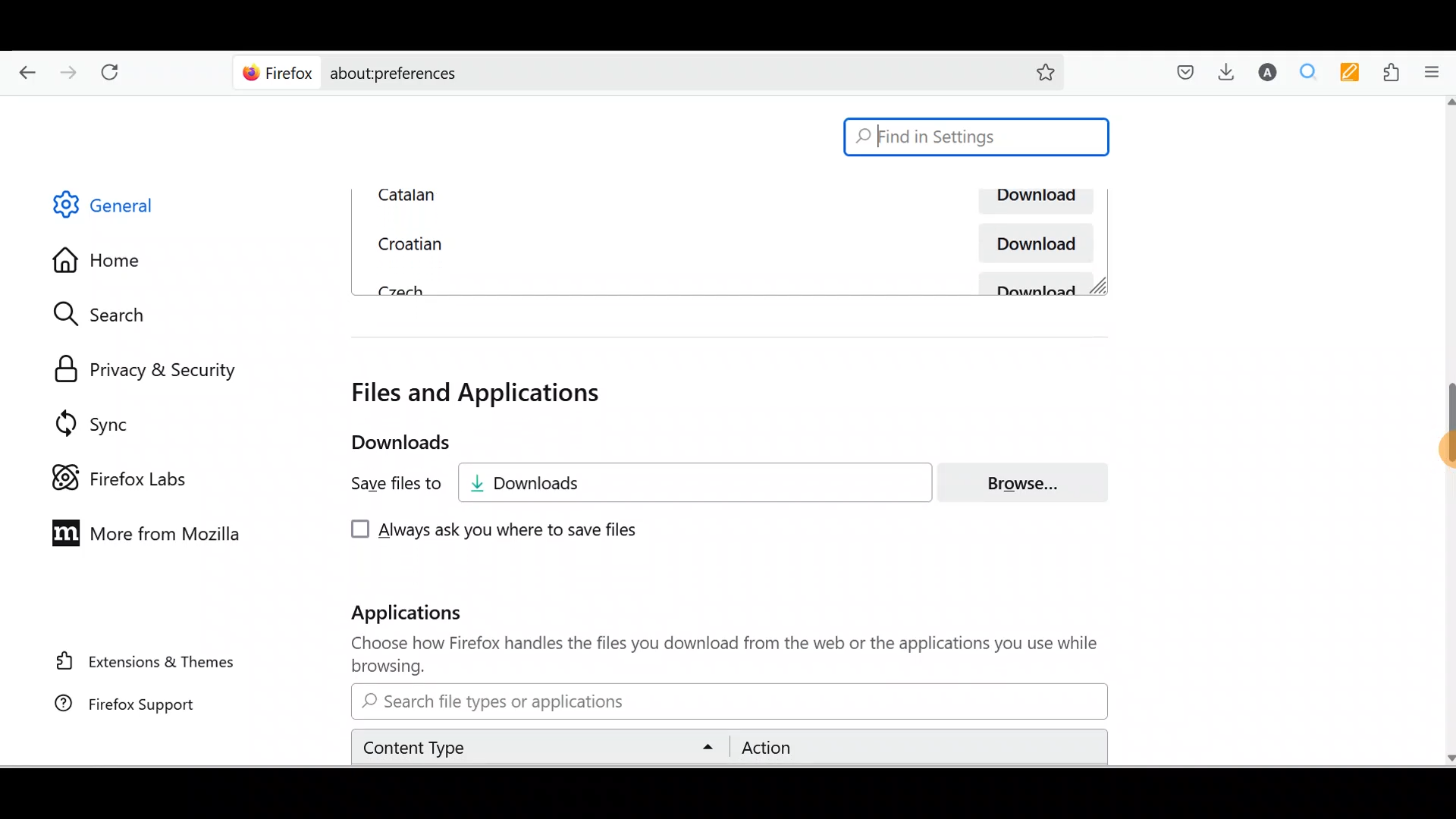 Image resolution: width=1456 pixels, height=819 pixels. What do you see at coordinates (914, 748) in the screenshot?
I see `Action` at bounding box center [914, 748].